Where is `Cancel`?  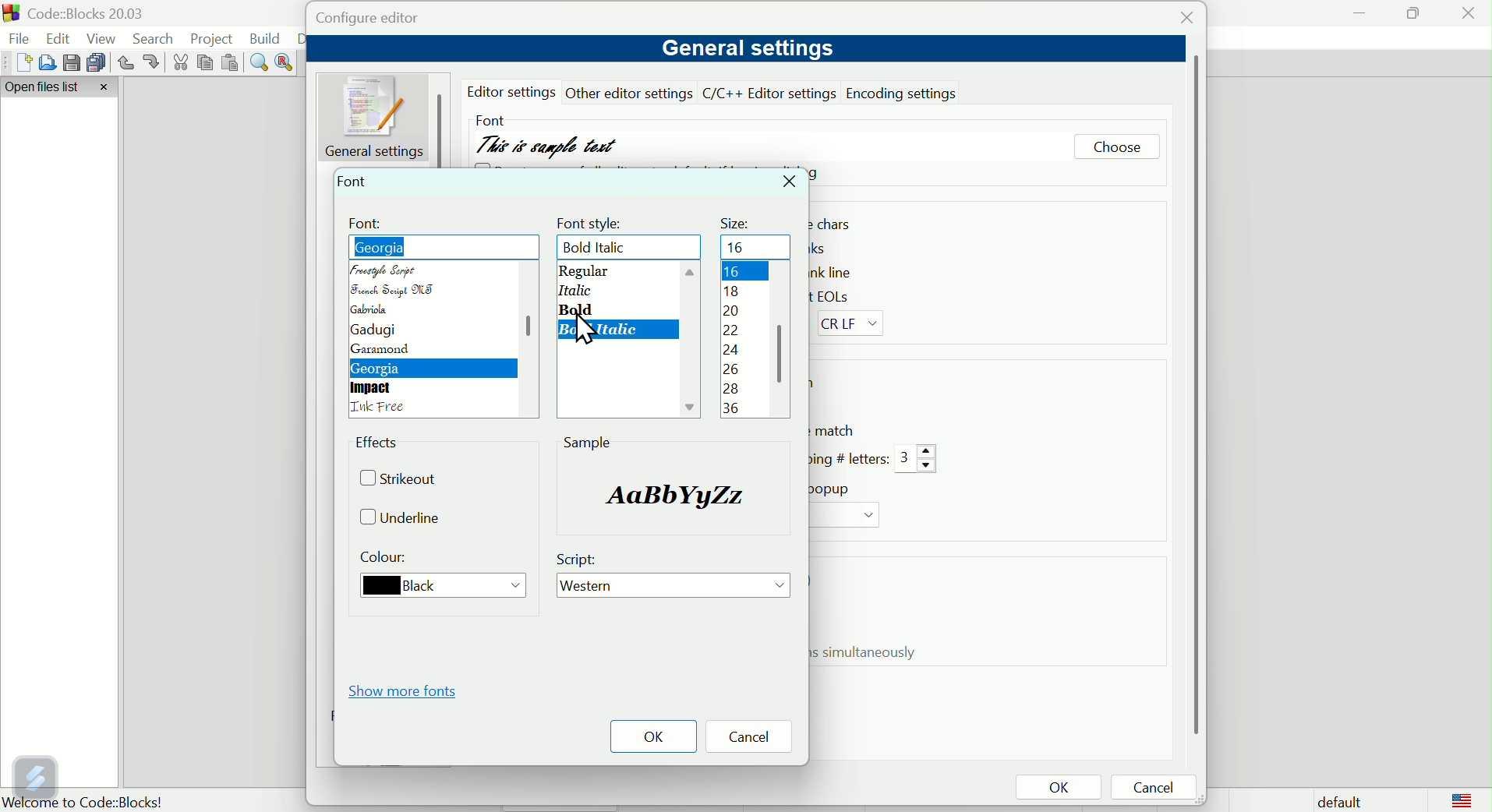 Cancel is located at coordinates (755, 738).